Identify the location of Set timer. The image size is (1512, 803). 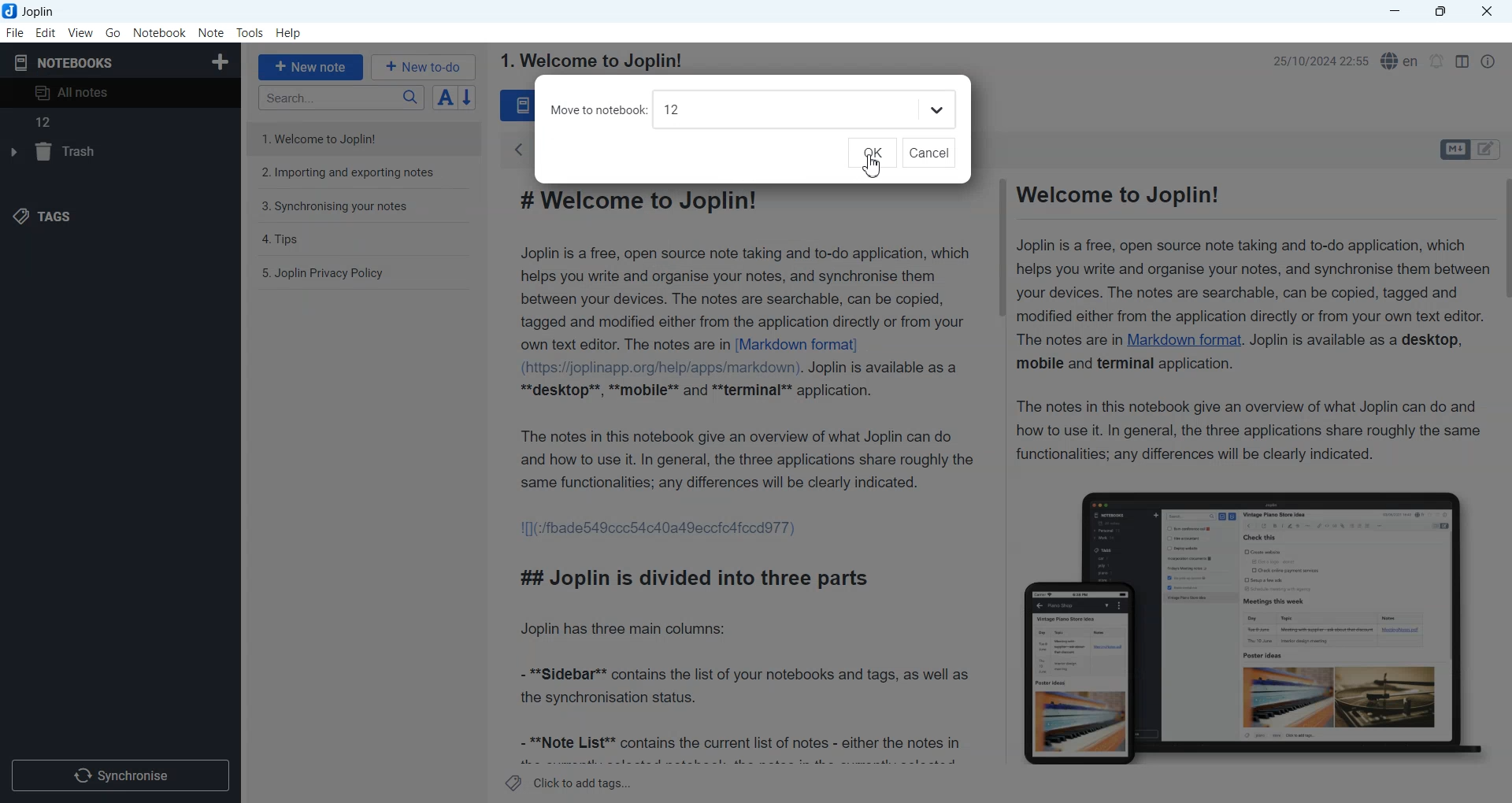
(1437, 61).